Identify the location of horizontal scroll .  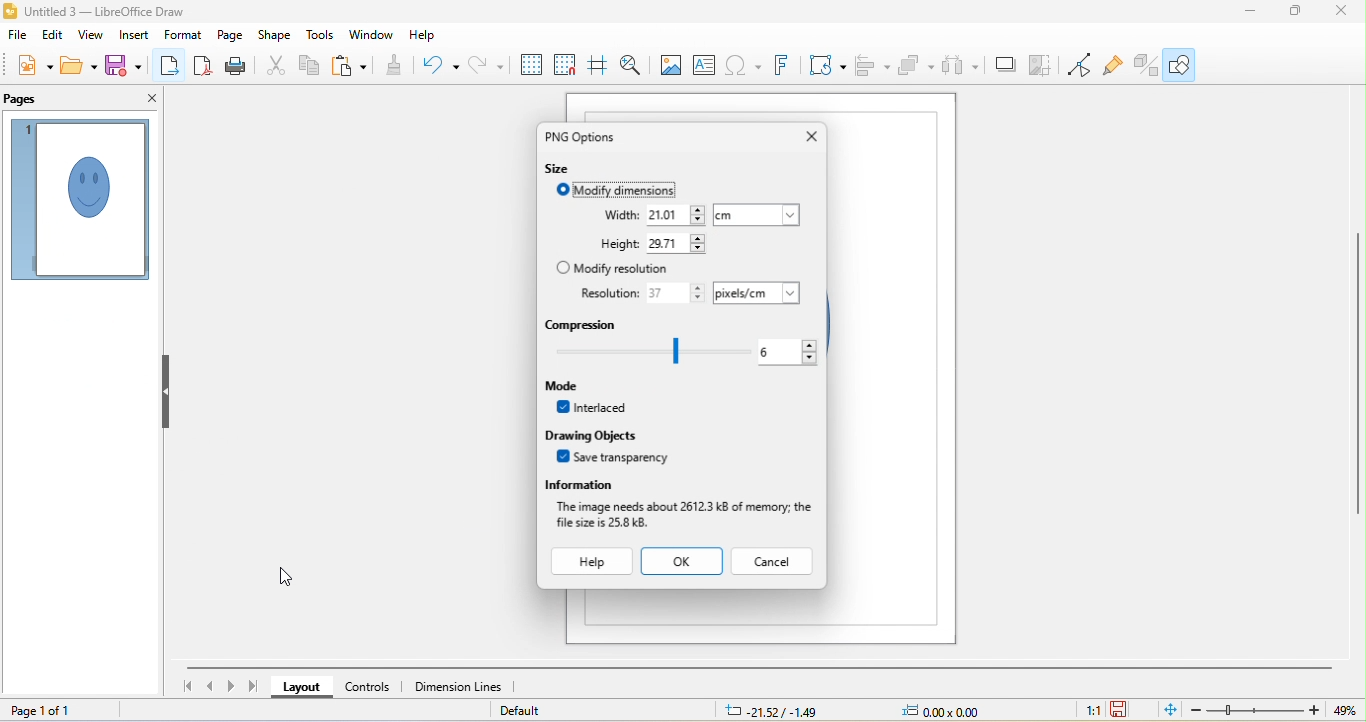
(762, 666).